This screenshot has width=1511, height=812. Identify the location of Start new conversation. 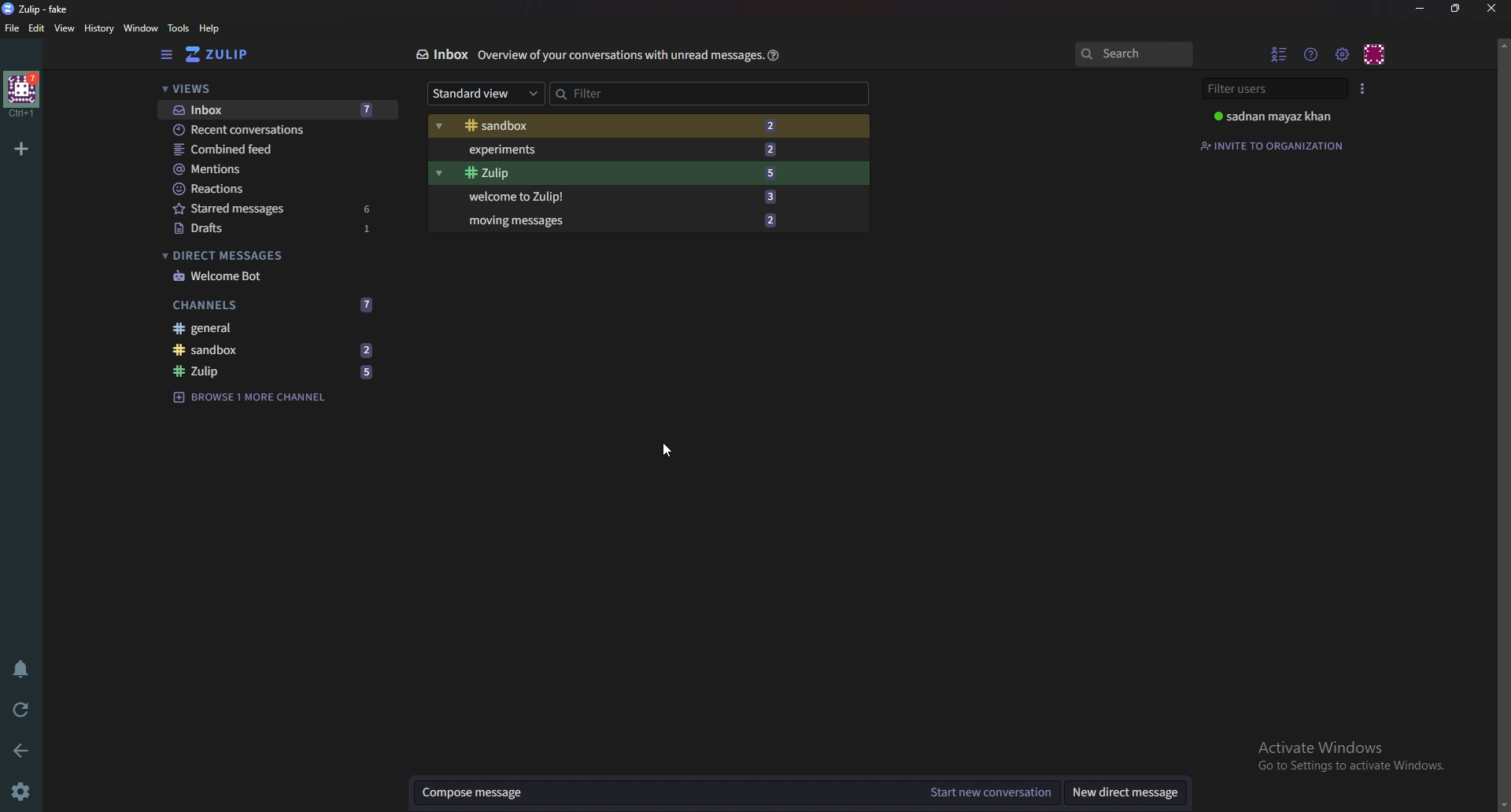
(989, 793).